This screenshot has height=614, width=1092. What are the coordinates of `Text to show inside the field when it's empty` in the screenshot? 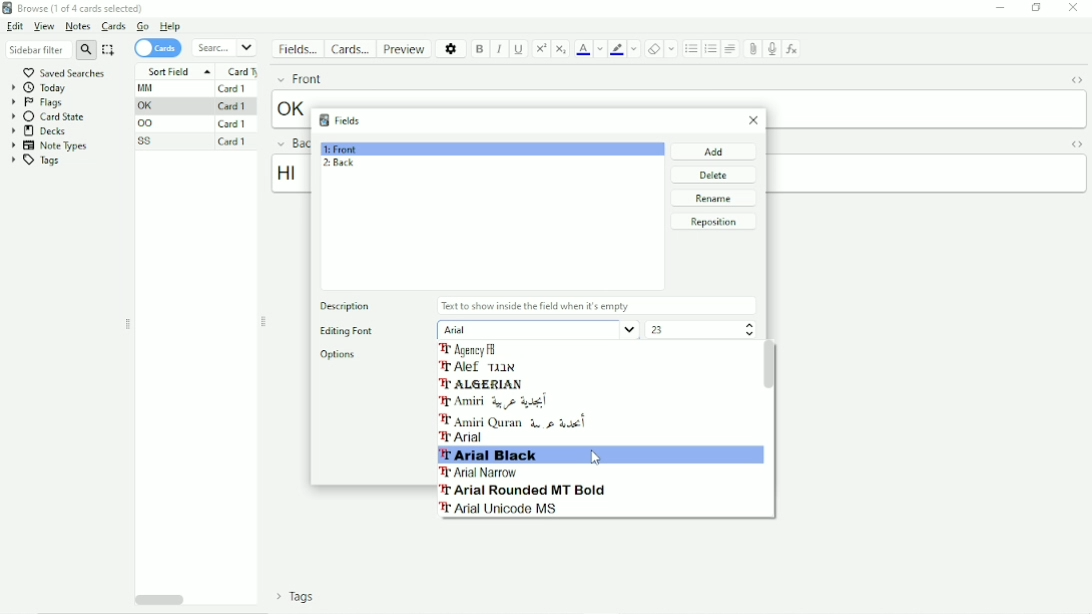 It's located at (535, 305).